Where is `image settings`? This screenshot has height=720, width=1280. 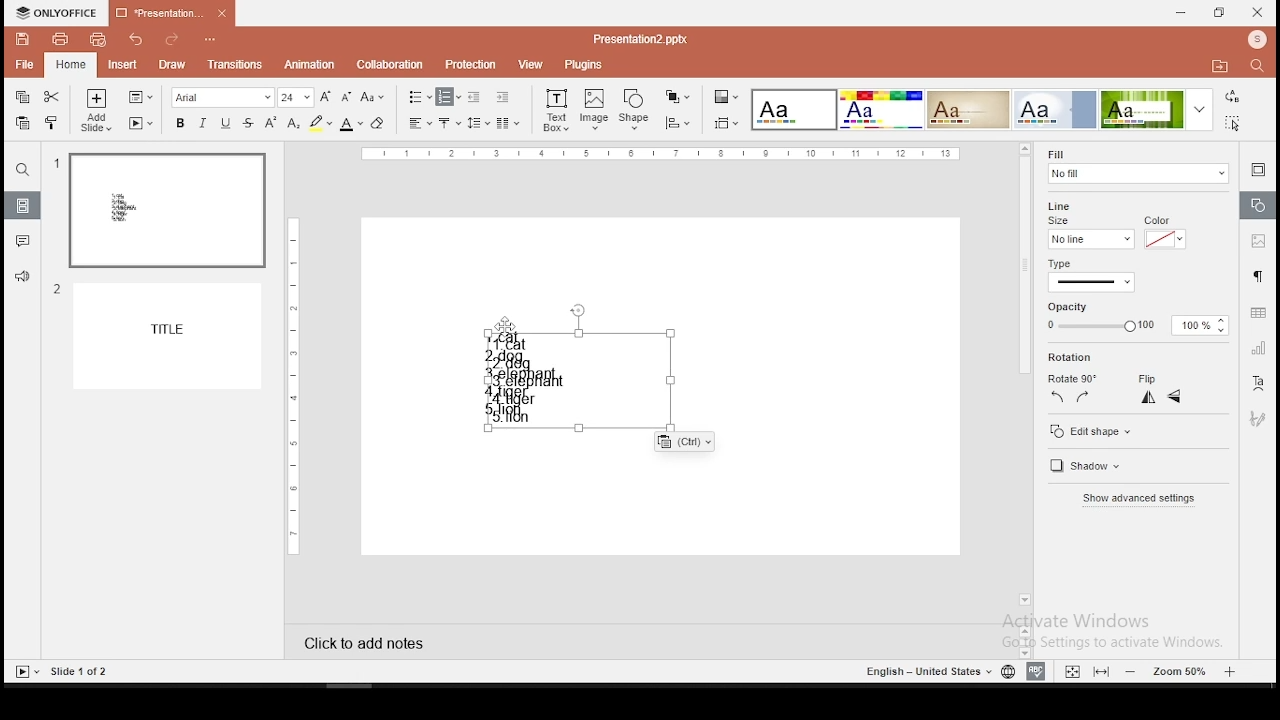 image settings is located at coordinates (1258, 240).